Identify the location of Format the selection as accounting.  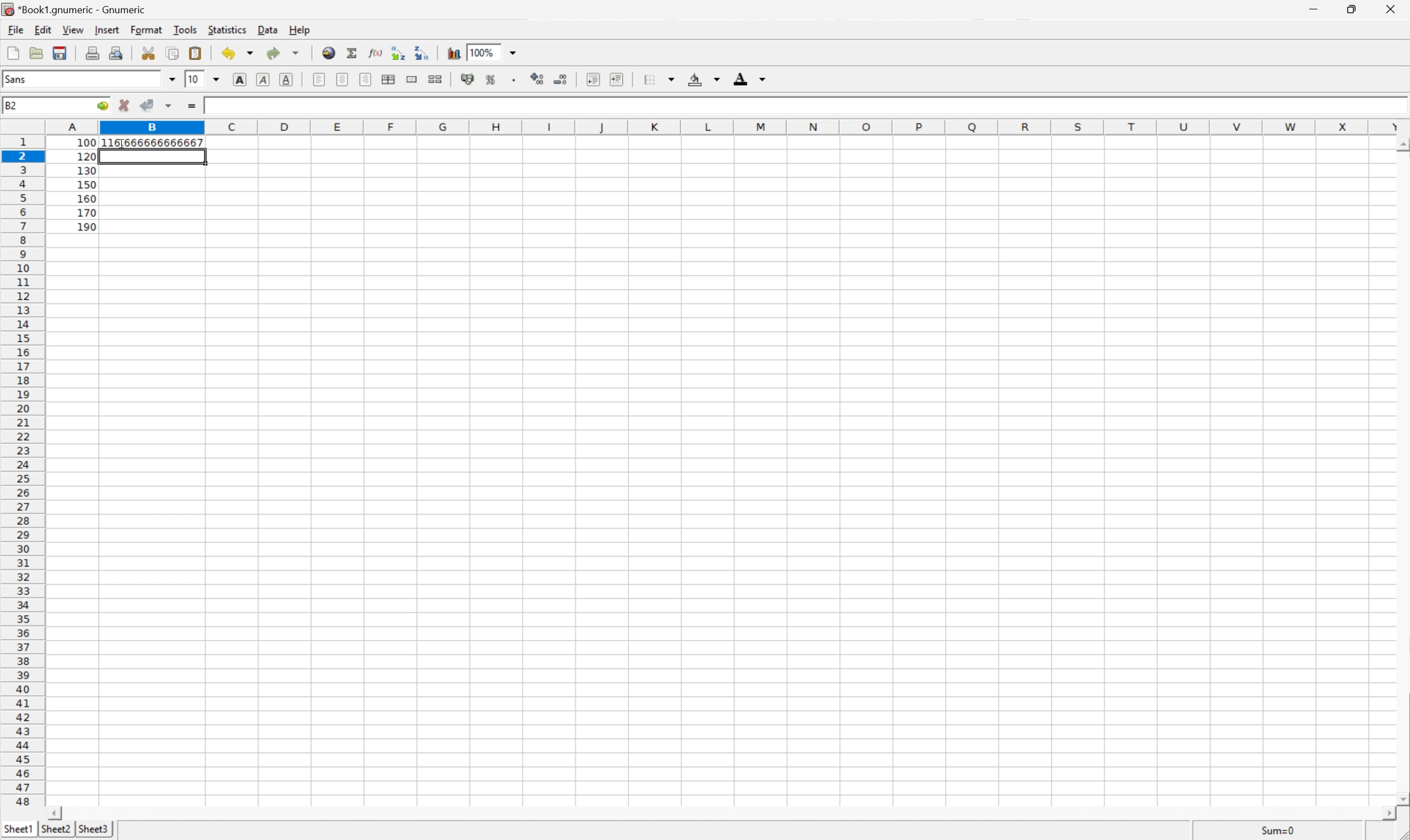
(470, 79).